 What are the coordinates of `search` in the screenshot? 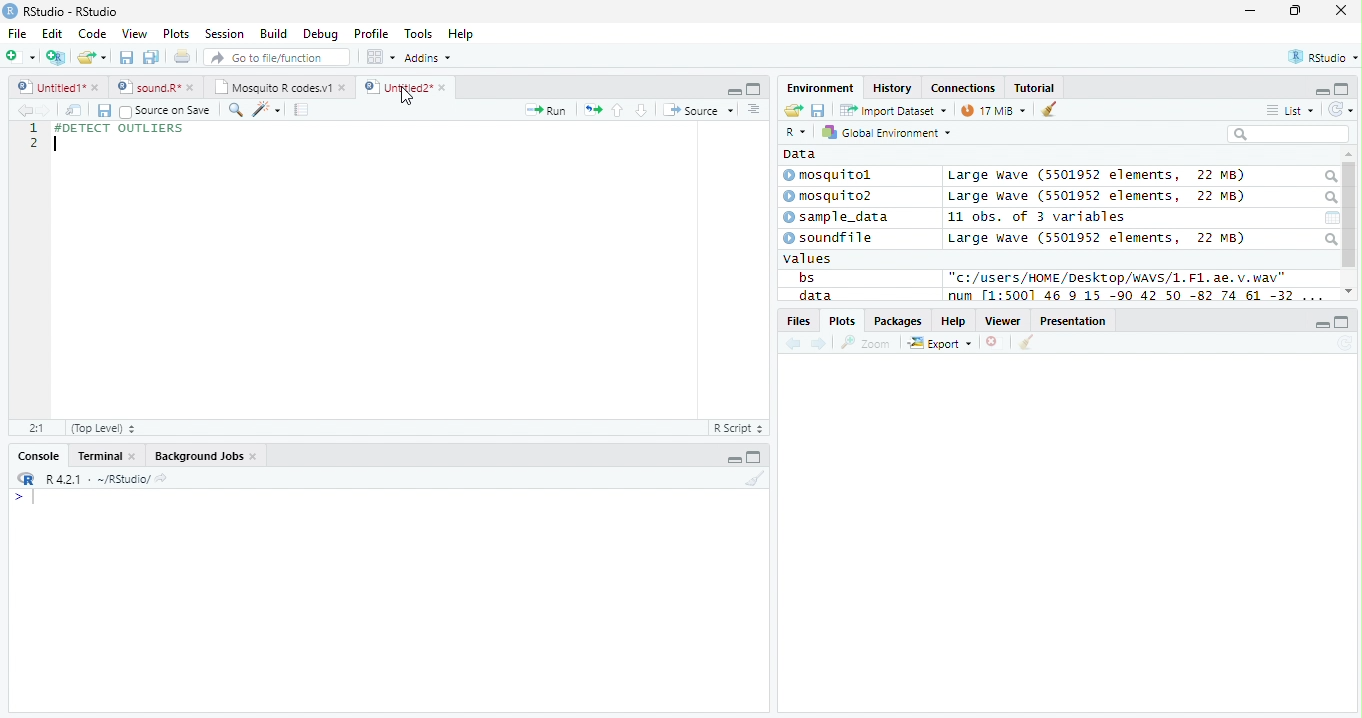 It's located at (1330, 239).